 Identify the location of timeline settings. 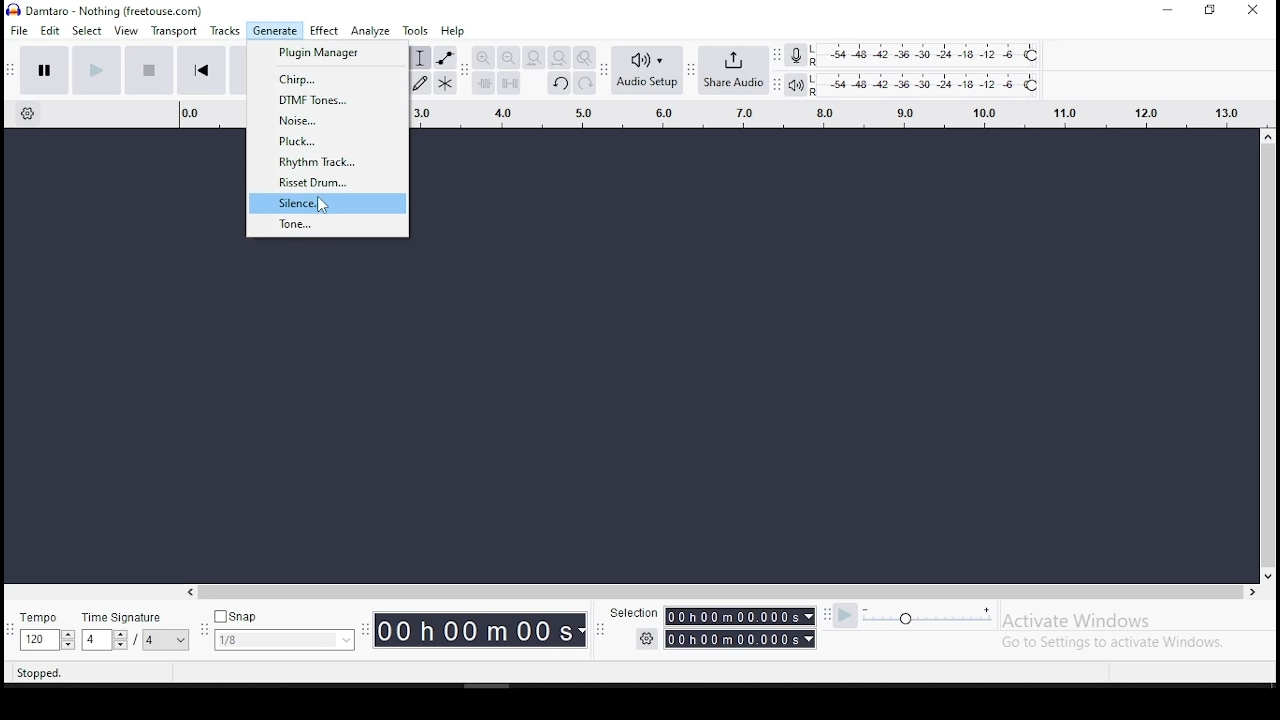
(31, 114).